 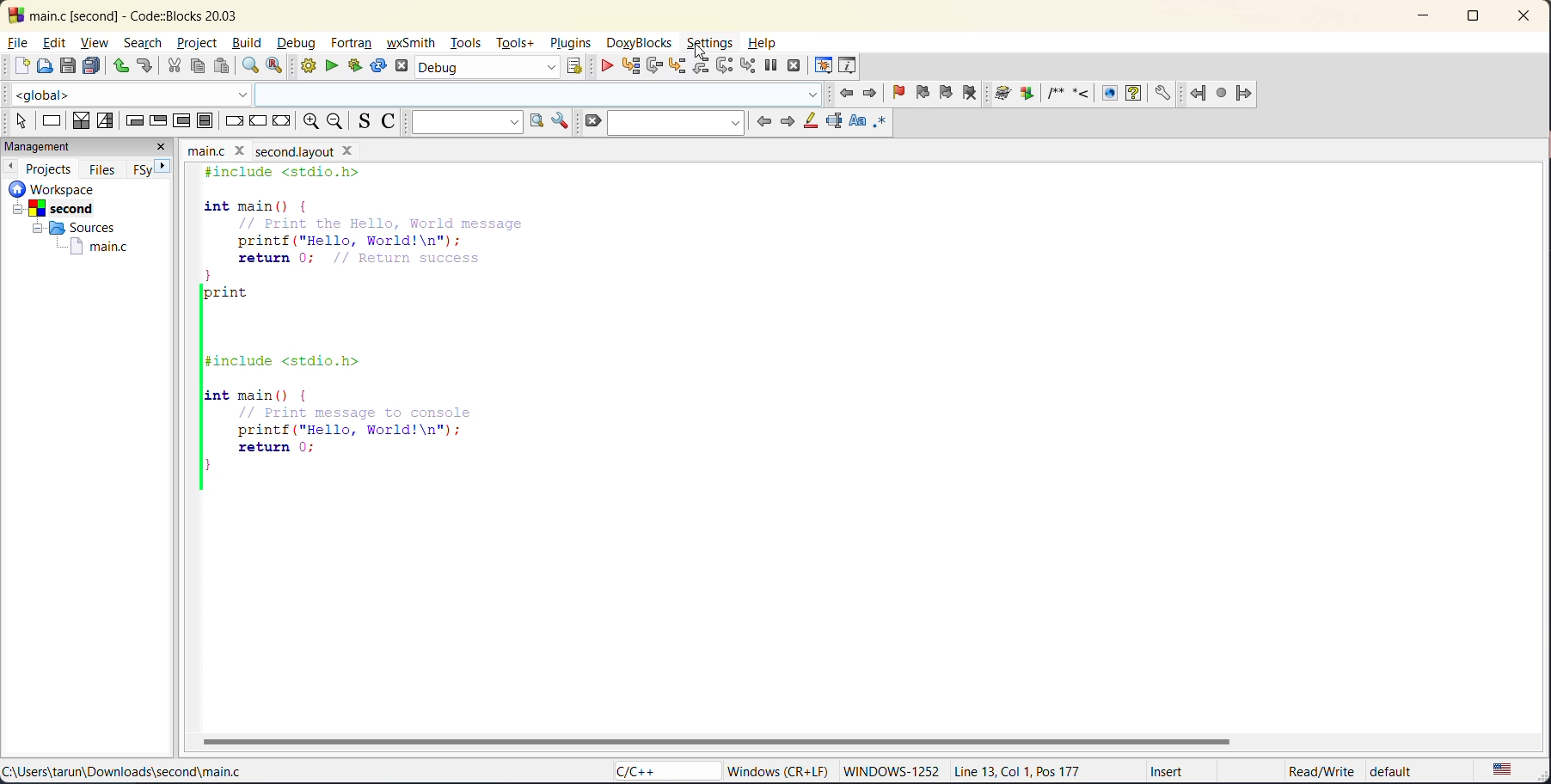 What do you see at coordinates (854, 123) in the screenshot?
I see `match case` at bounding box center [854, 123].